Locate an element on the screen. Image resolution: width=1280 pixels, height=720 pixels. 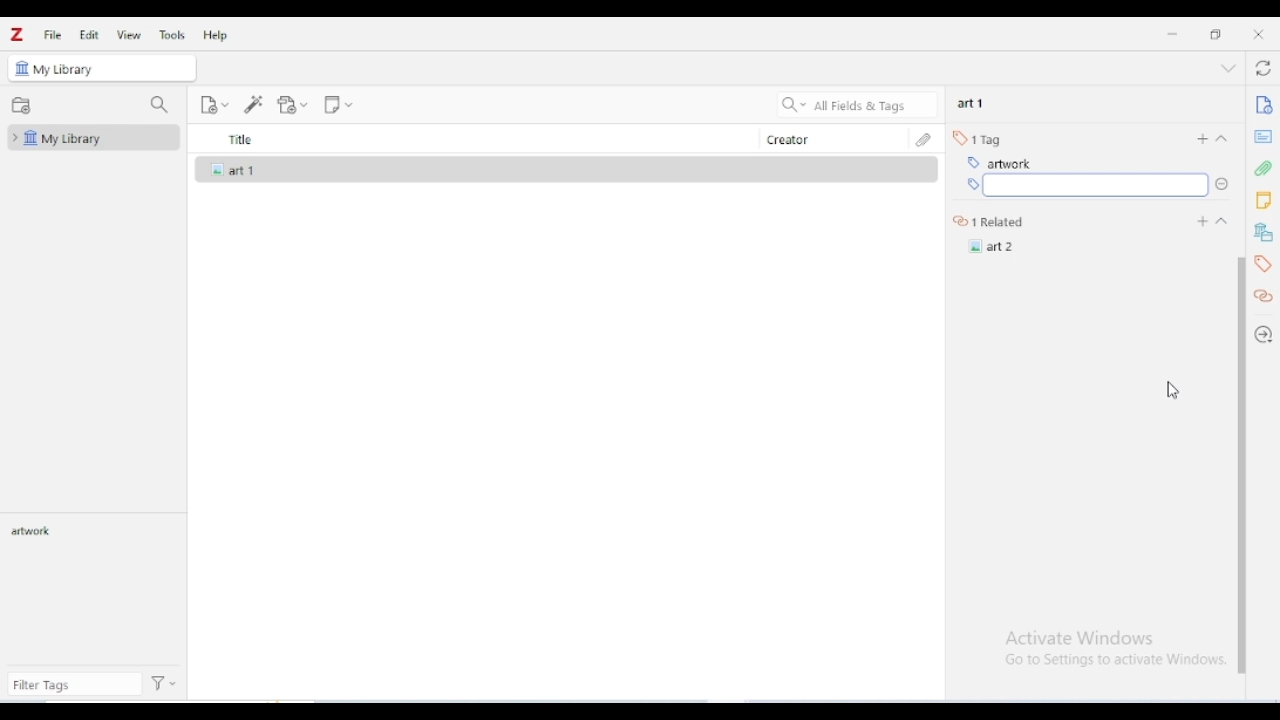
libraries and collections is located at coordinates (1264, 233).